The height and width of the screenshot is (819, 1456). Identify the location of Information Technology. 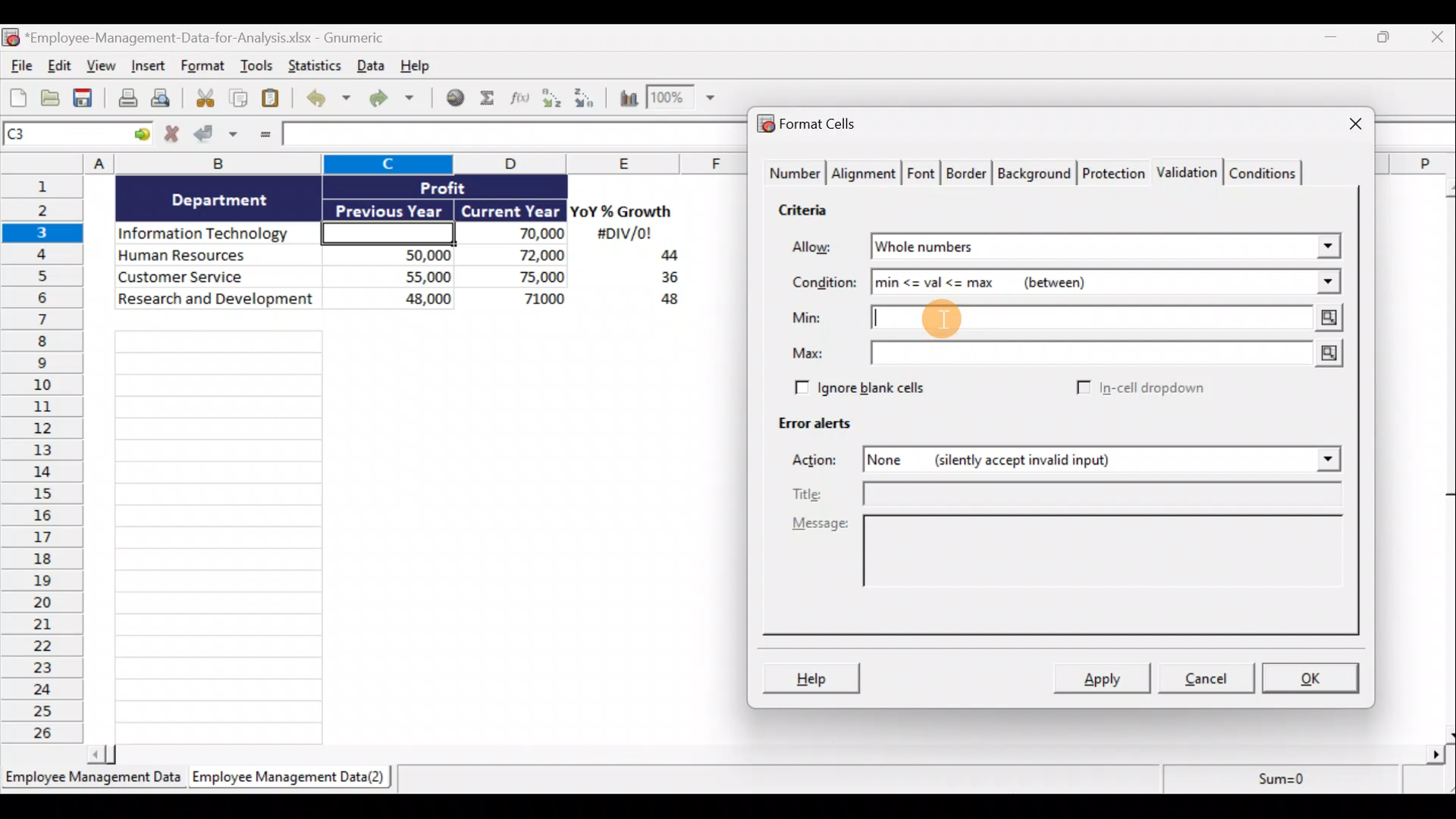
(218, 234).